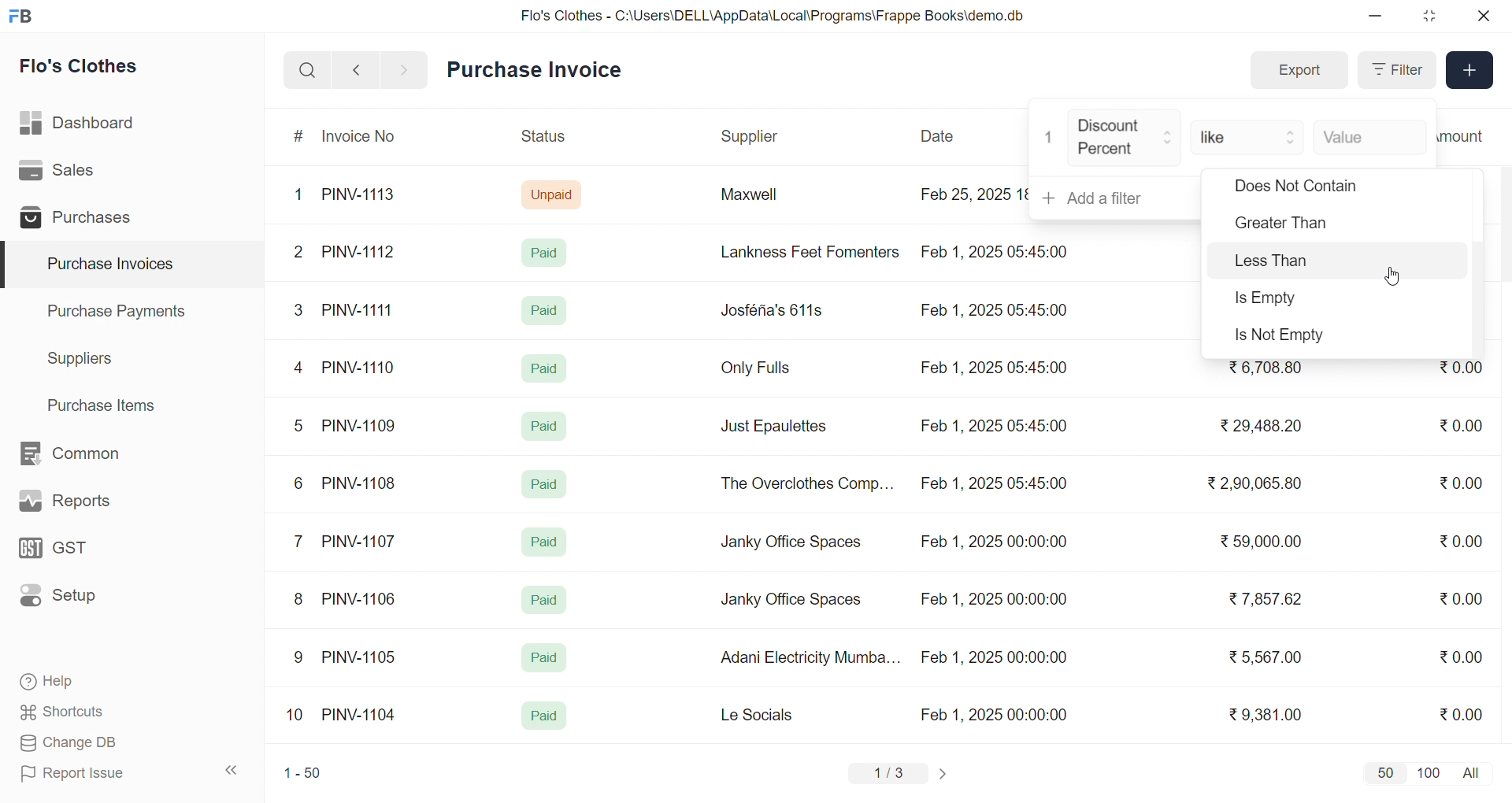 This screenshot has width=1512, height=803. Describe the element at coordinates (108, 265) in the screenshot. I see `Purchase Invoices` at that location.